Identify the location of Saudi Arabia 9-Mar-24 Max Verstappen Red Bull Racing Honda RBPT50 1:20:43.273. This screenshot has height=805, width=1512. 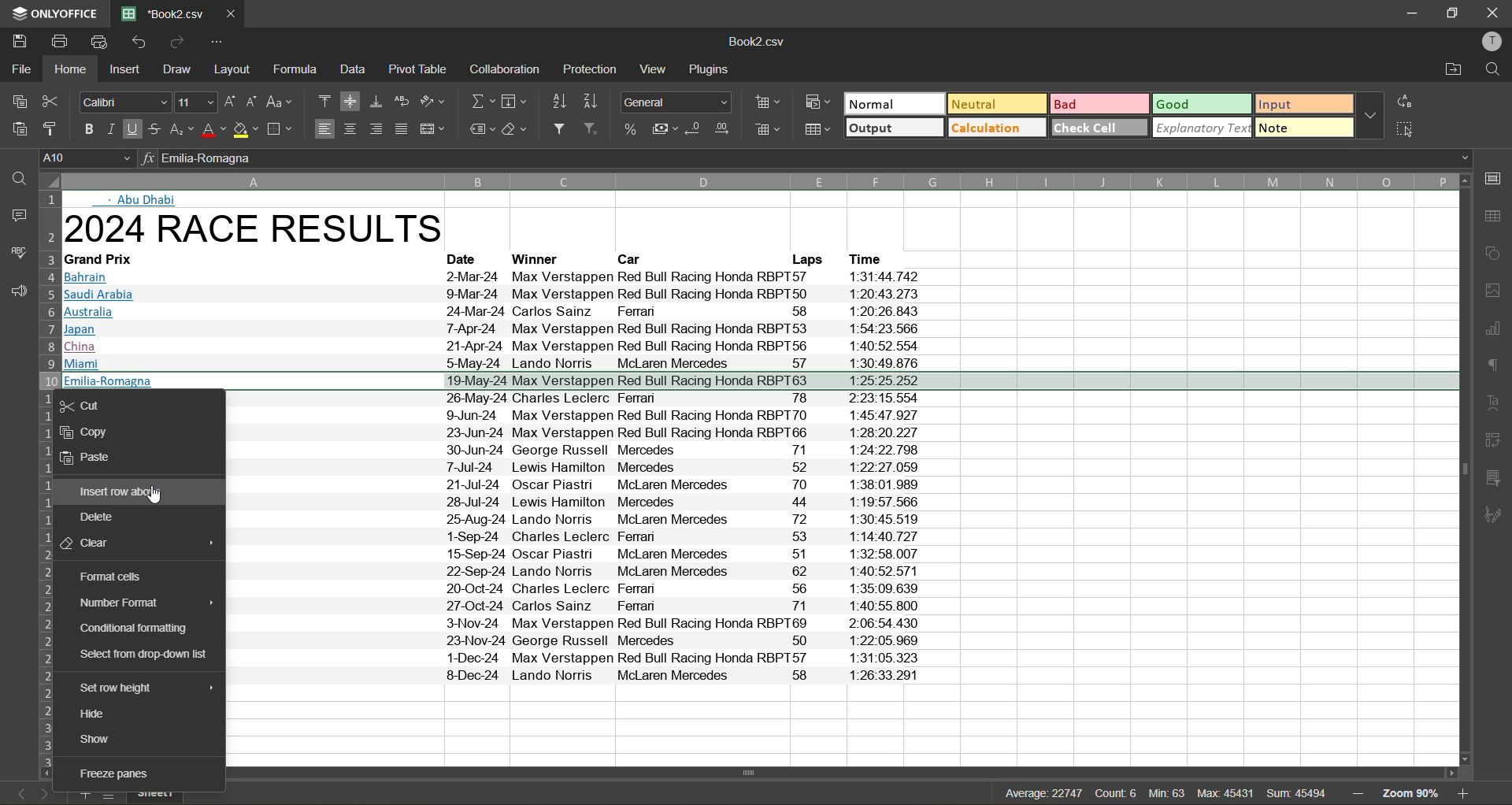
(497, 295).